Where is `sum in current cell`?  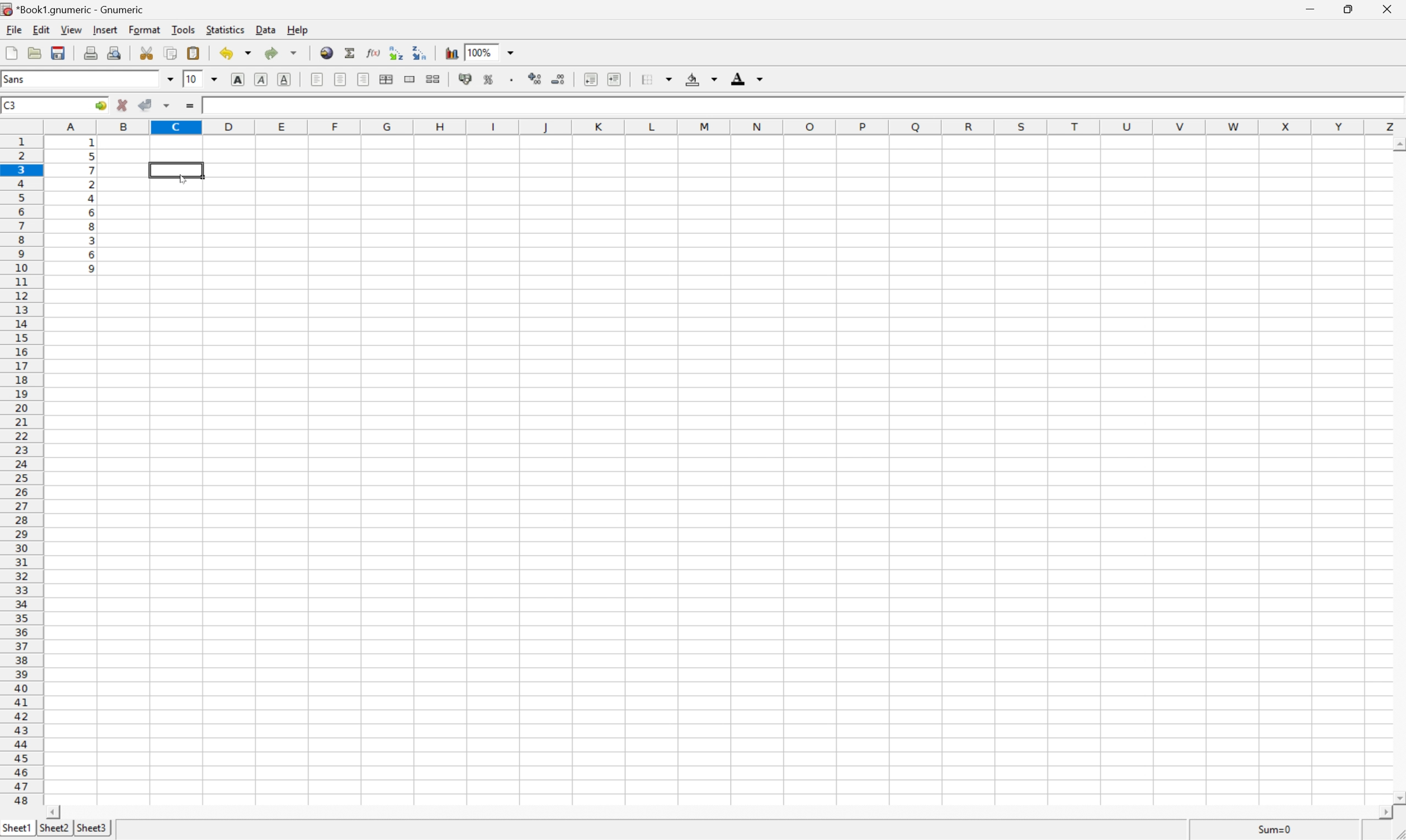 sum in current cell is located at coordinates (350, 52).